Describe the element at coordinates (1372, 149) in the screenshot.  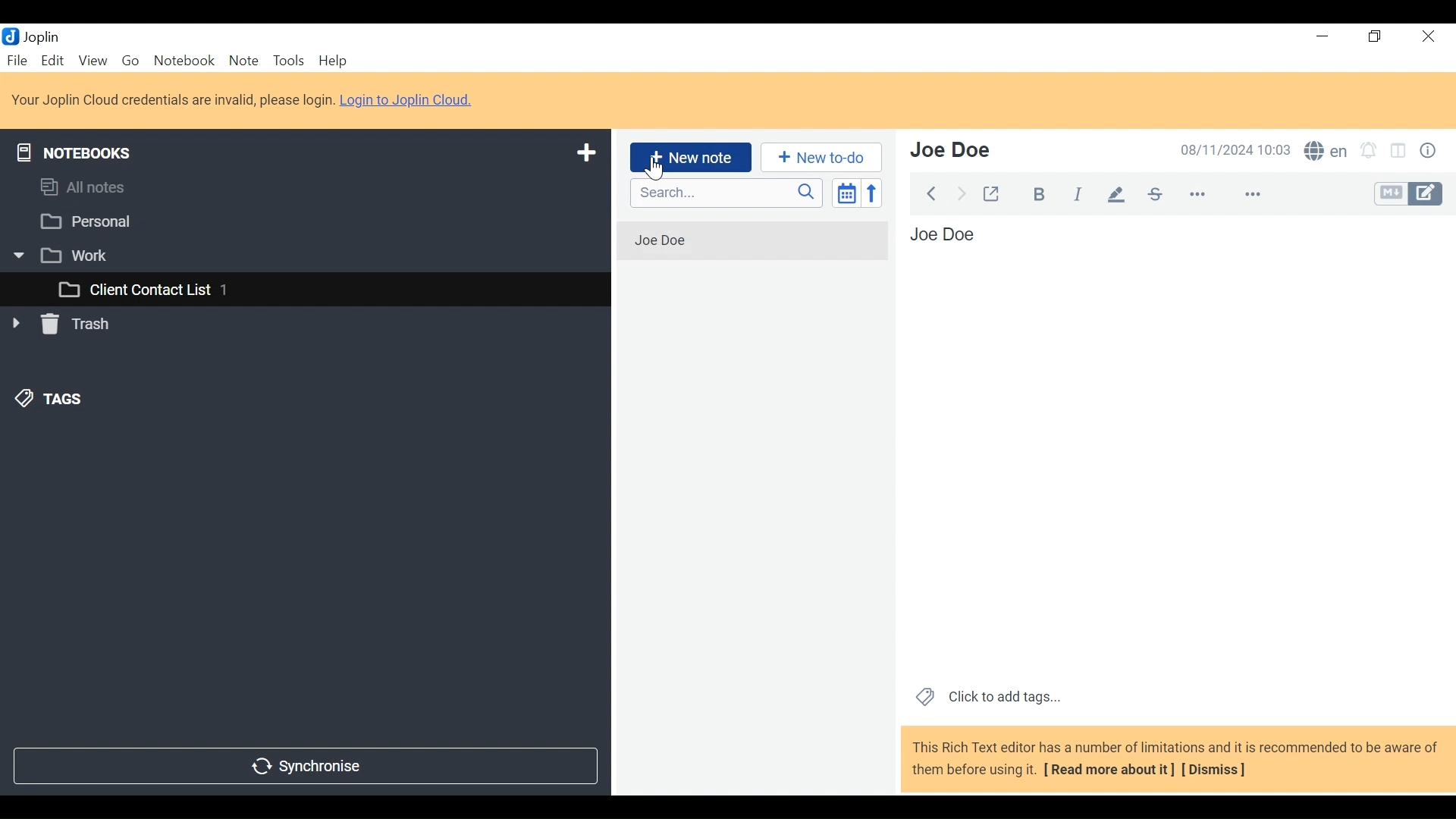
I see `Notifications` at that location.